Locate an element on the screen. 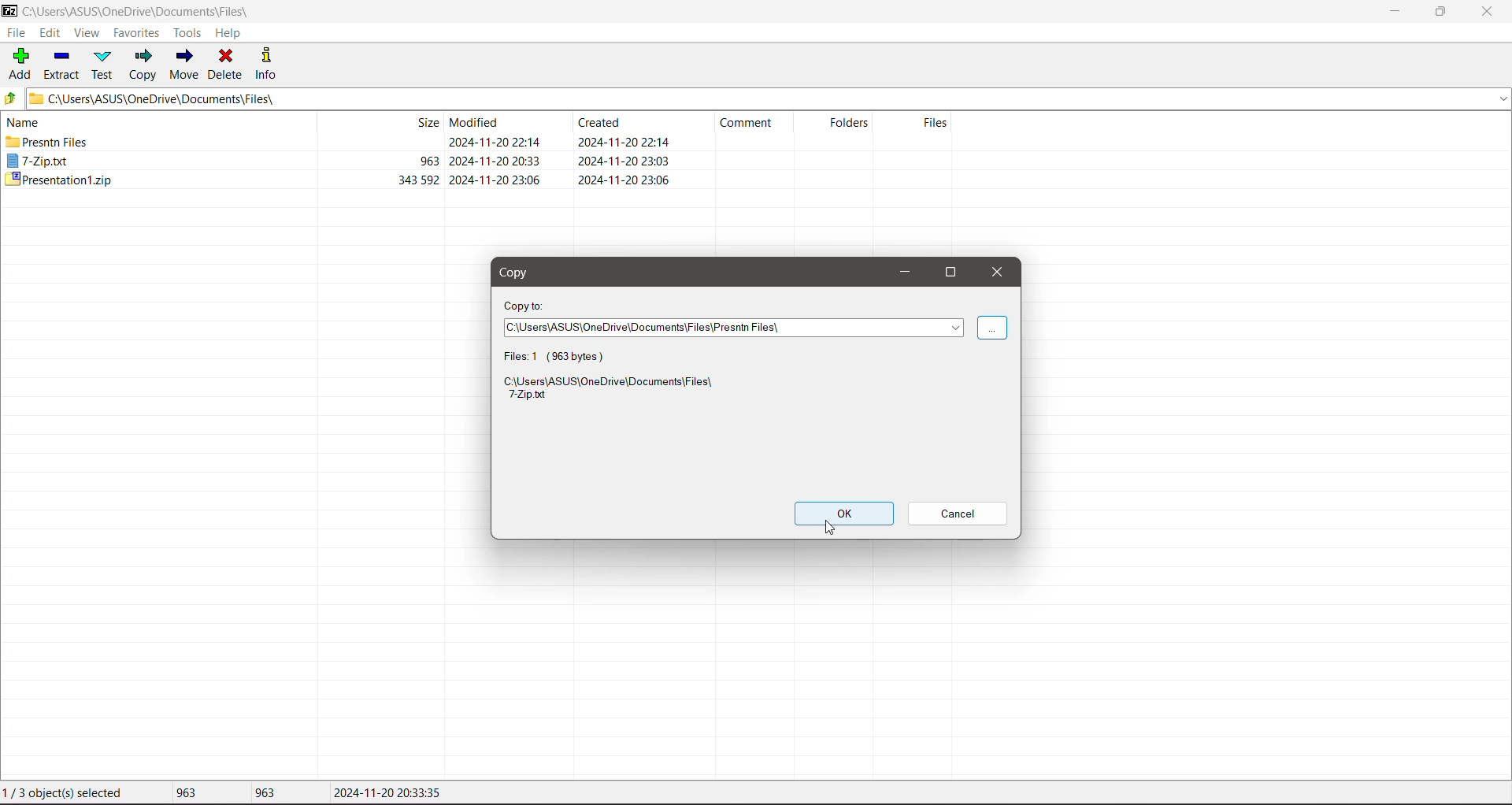  Current Folder Path is located at coordinates (767, 98).